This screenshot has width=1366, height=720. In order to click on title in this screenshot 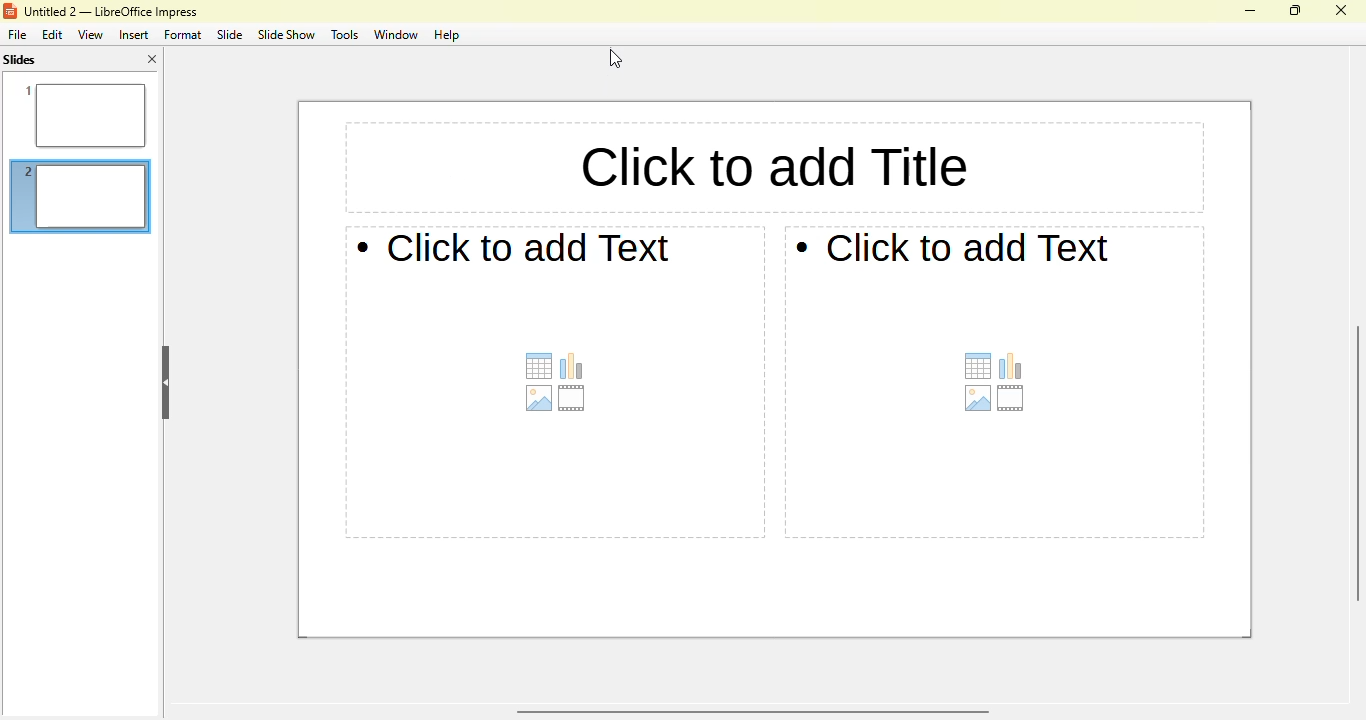, I will do `click(110, 12)`.